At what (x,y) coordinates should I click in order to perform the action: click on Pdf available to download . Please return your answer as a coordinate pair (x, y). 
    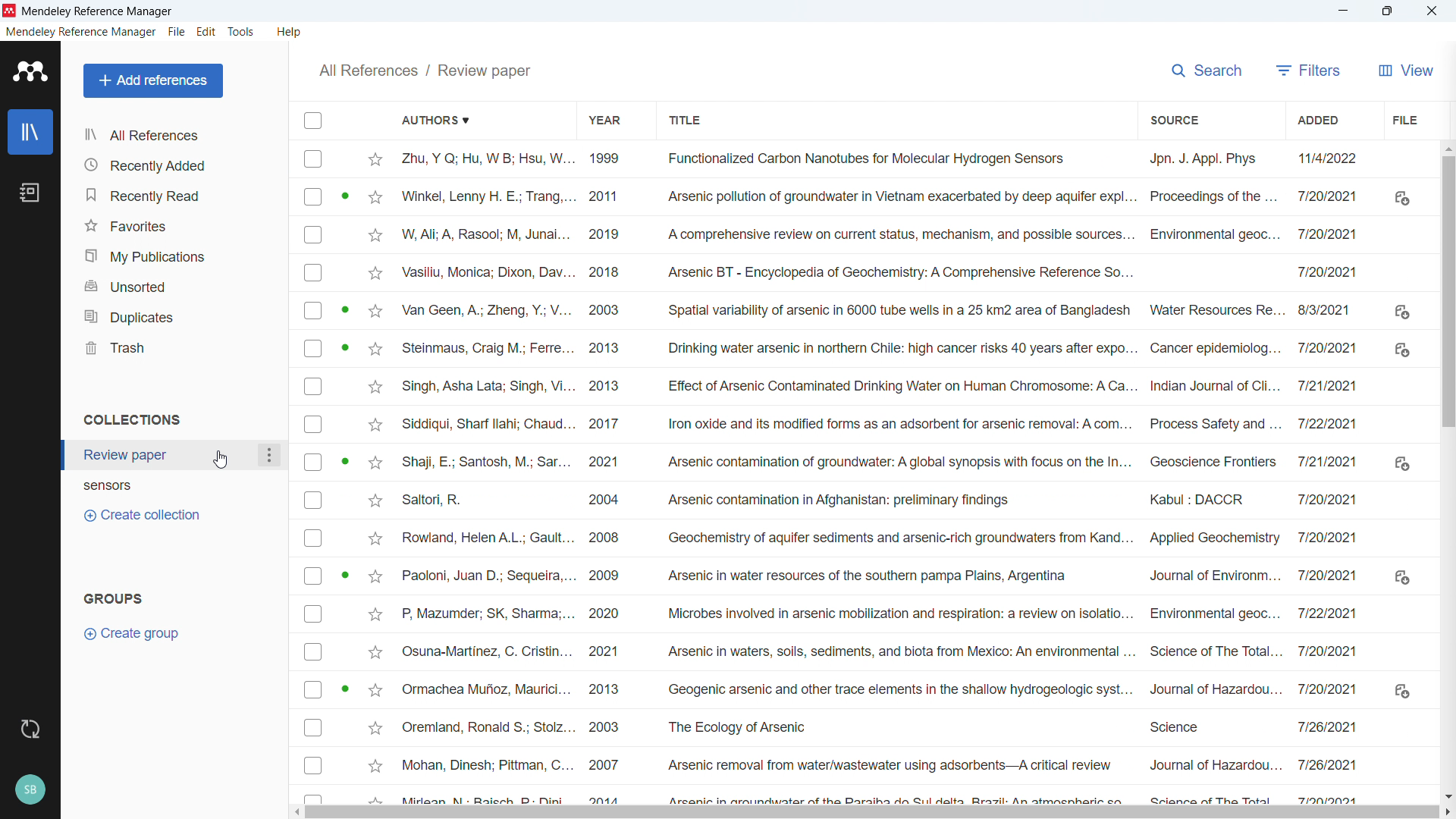
    Looking at the image, I should click on (1401, 504).